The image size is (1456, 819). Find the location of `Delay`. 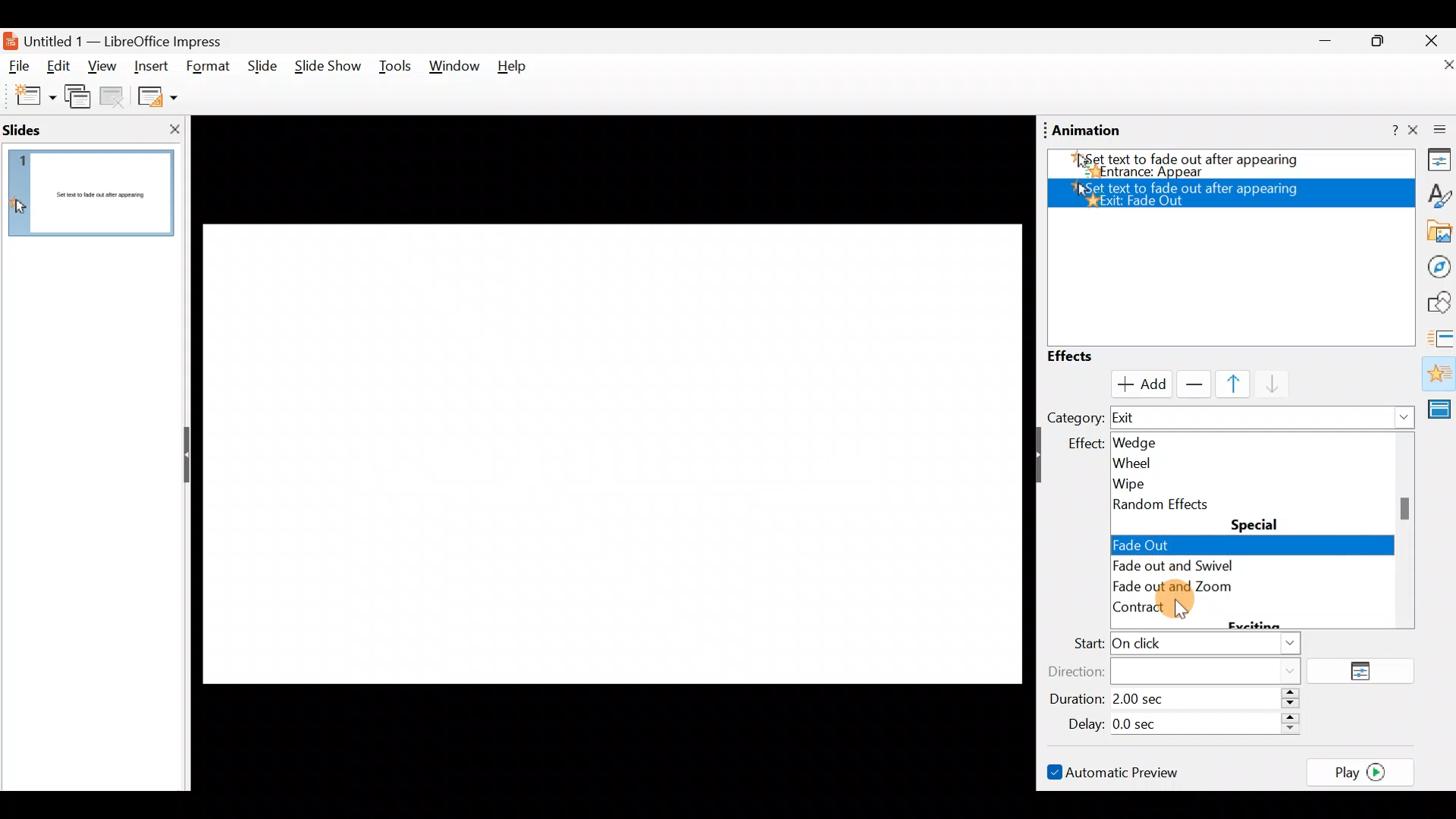

Delay is located at coordinates (1179, 722).